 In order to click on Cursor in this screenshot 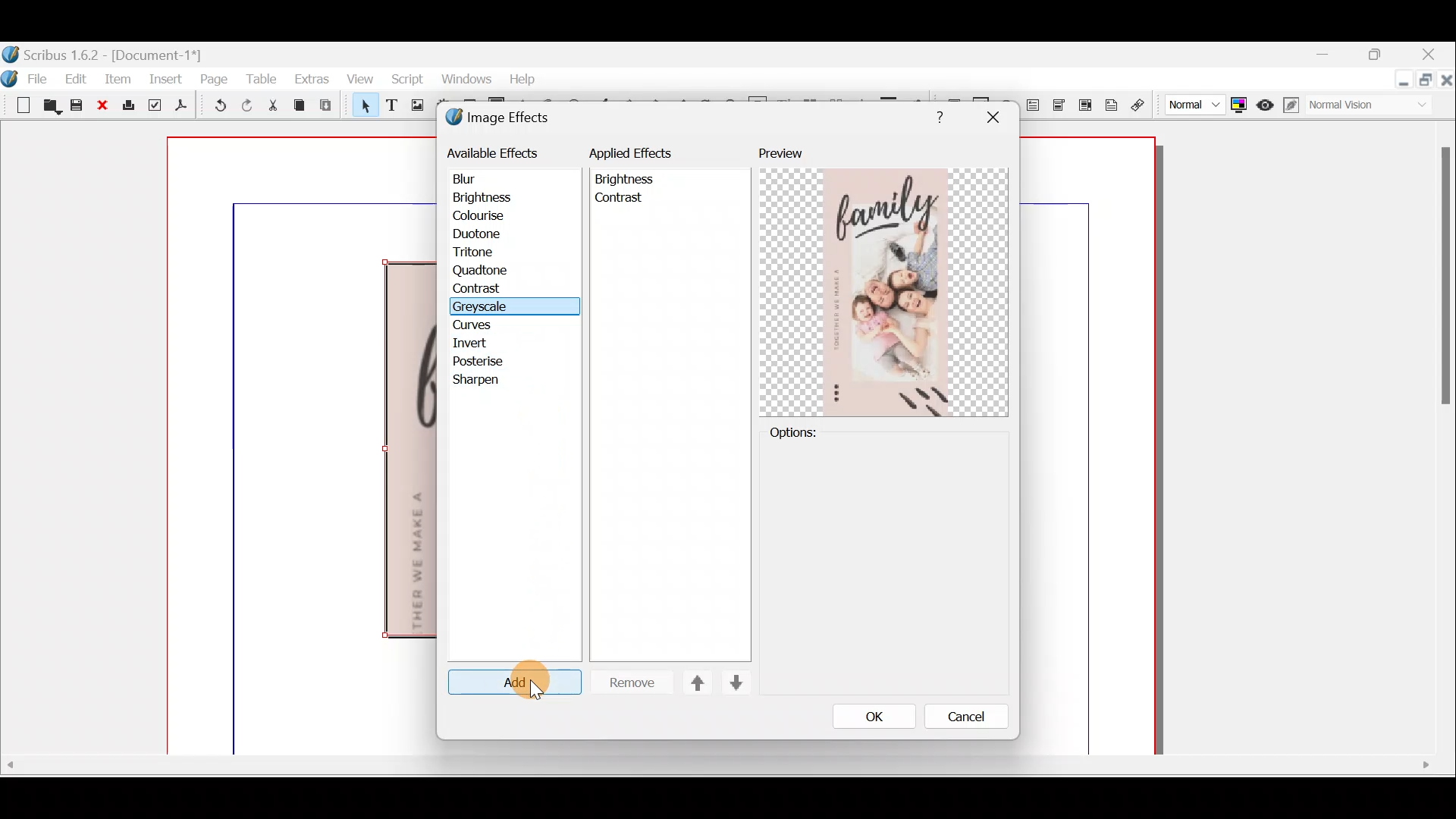, I will do `click(538, 689)`.